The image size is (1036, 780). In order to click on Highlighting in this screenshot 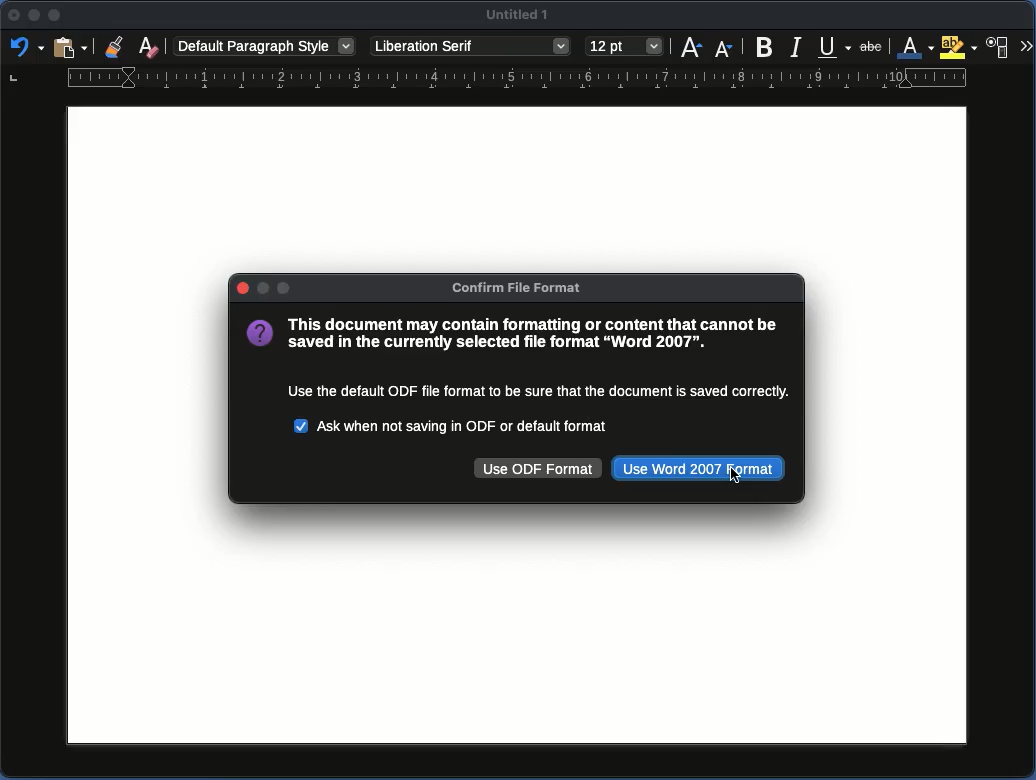, I will do `click(960, 47)`.